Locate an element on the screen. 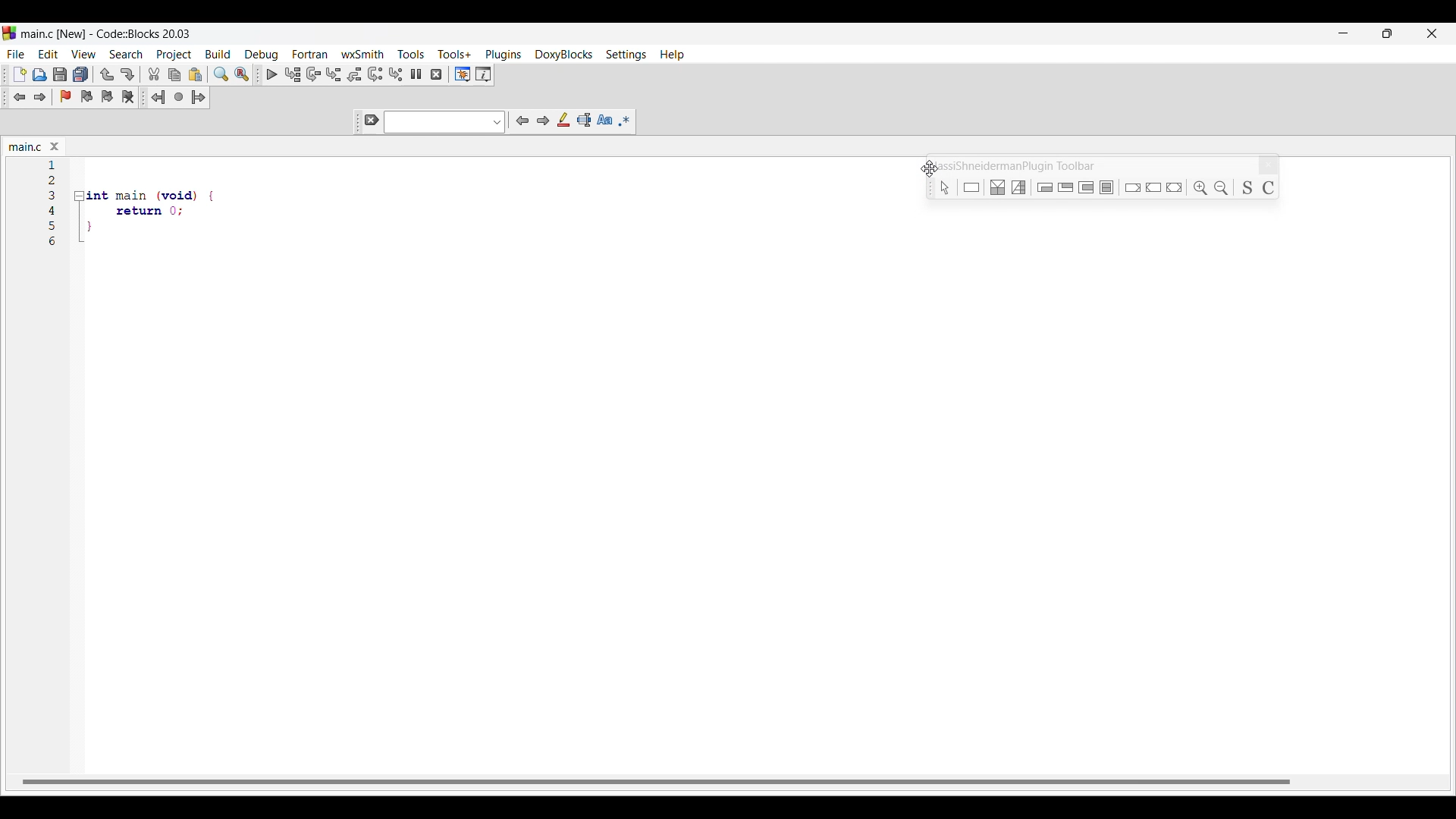 This screenshot has height=819, width=1456. Fortran menu is located at coordinates (309, 54).